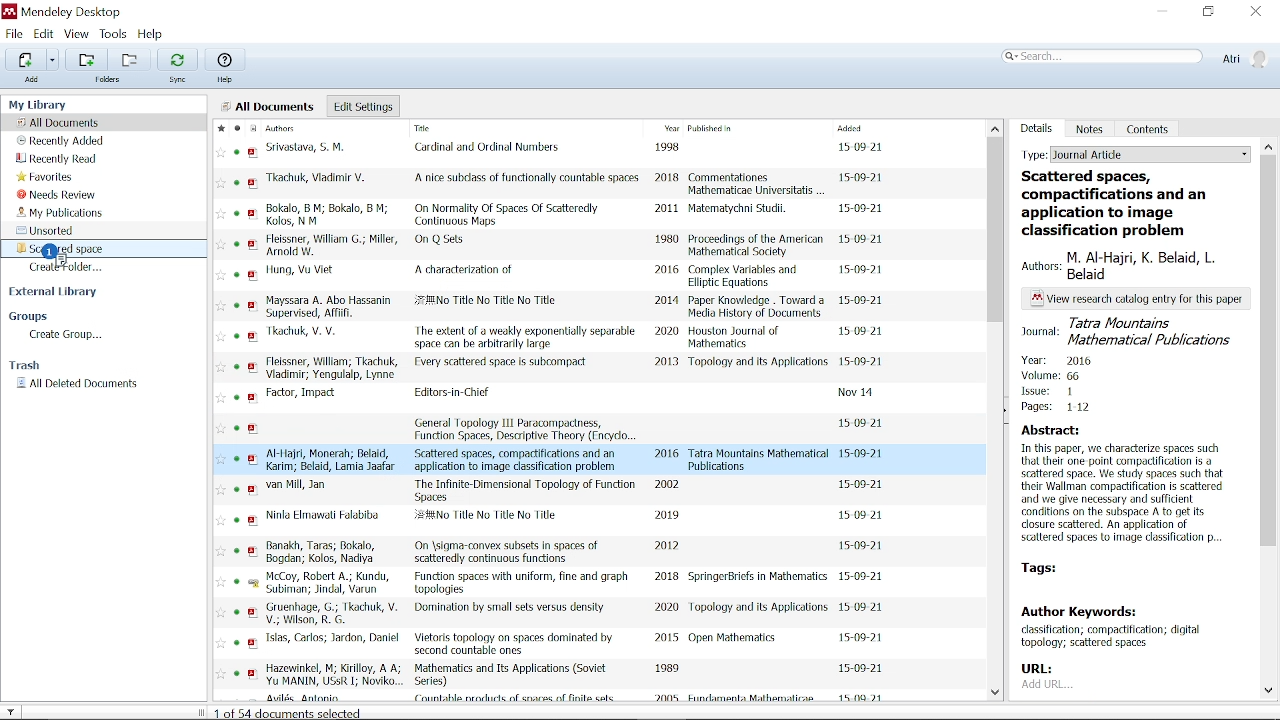  Describe the element at coordinates (464, 130) in the screenshot. I see `Title` at that location.